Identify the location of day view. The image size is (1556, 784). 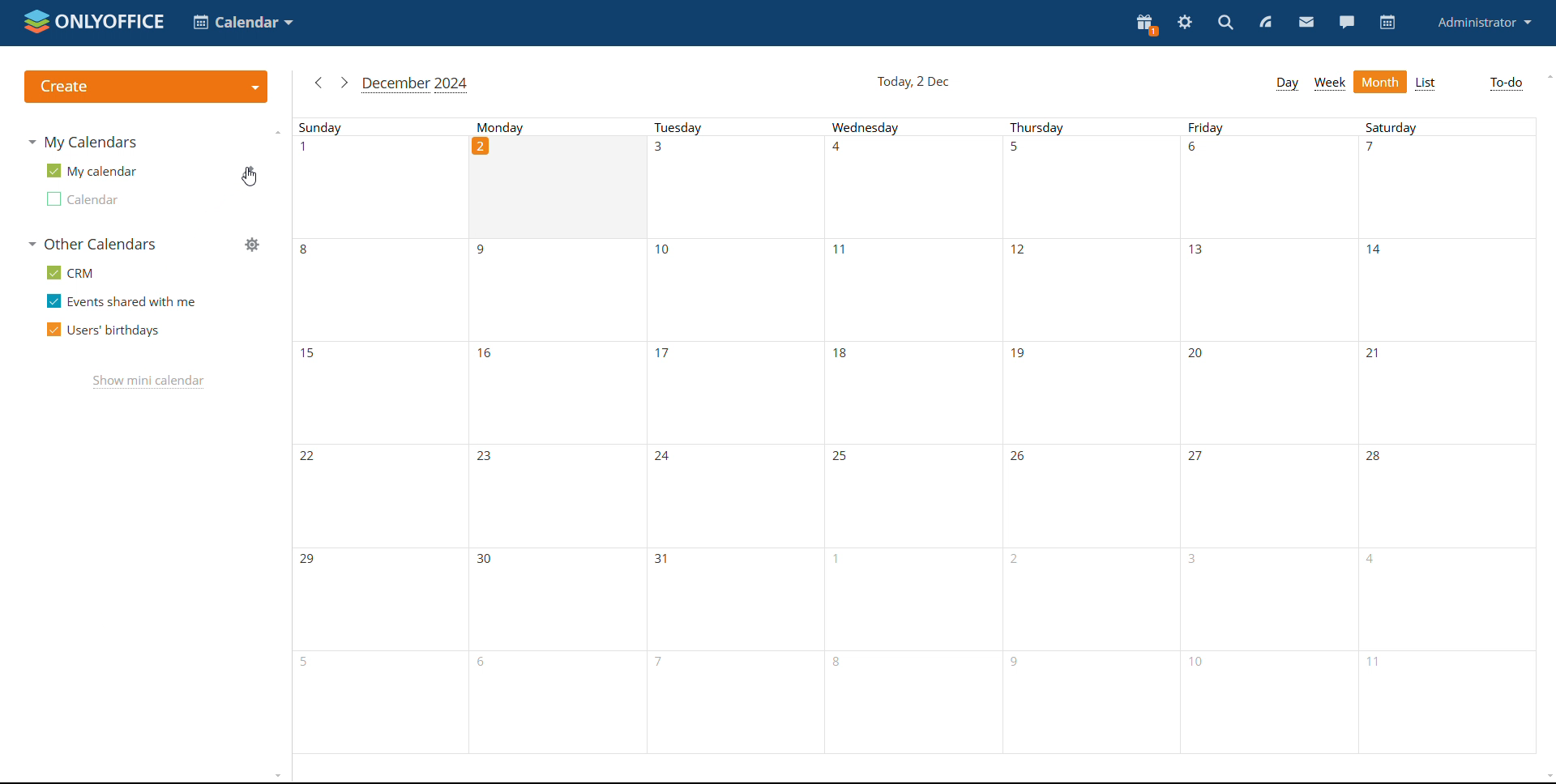
(1287, 83).